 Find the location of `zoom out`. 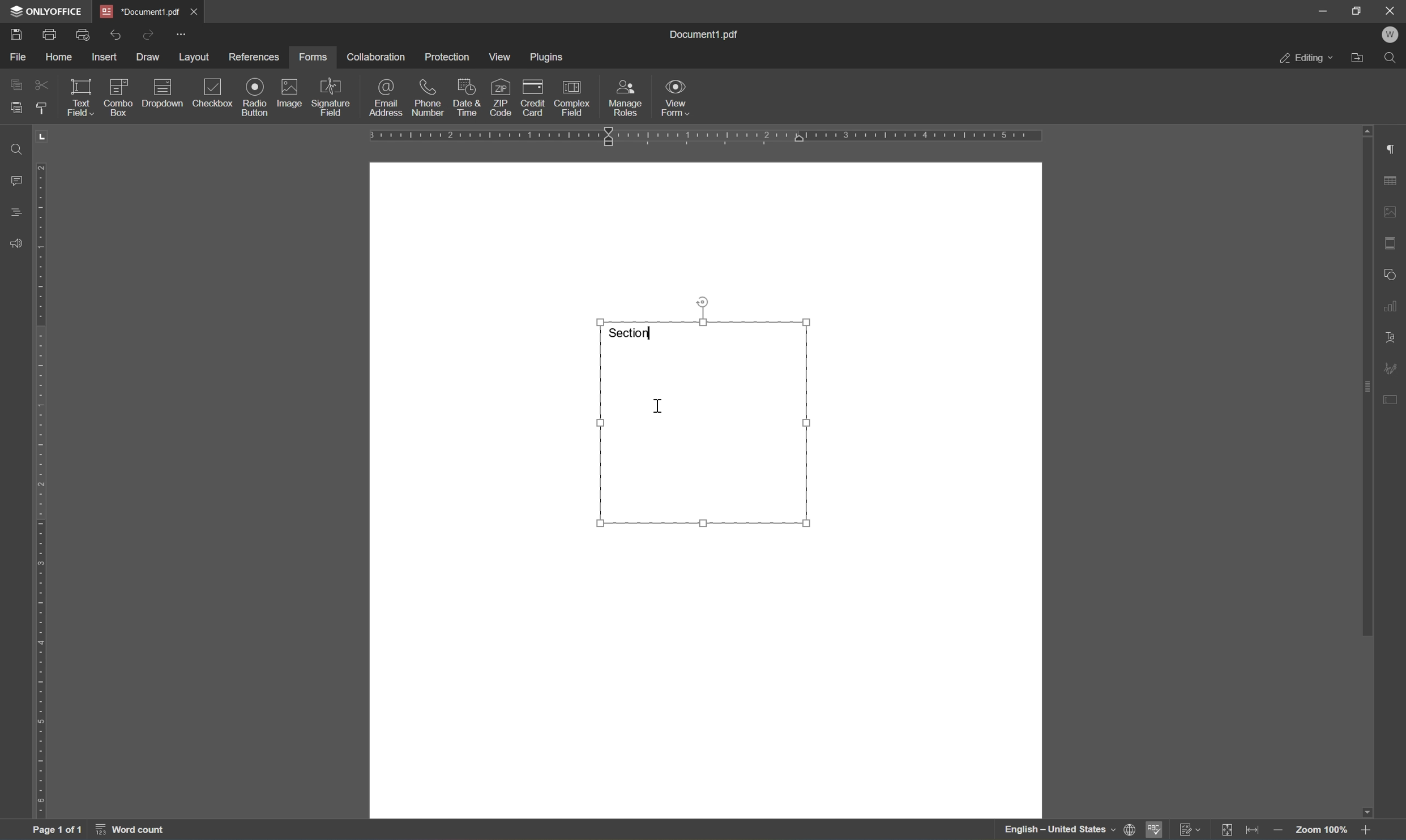

zoom out is located at coordinates (1281, 830).